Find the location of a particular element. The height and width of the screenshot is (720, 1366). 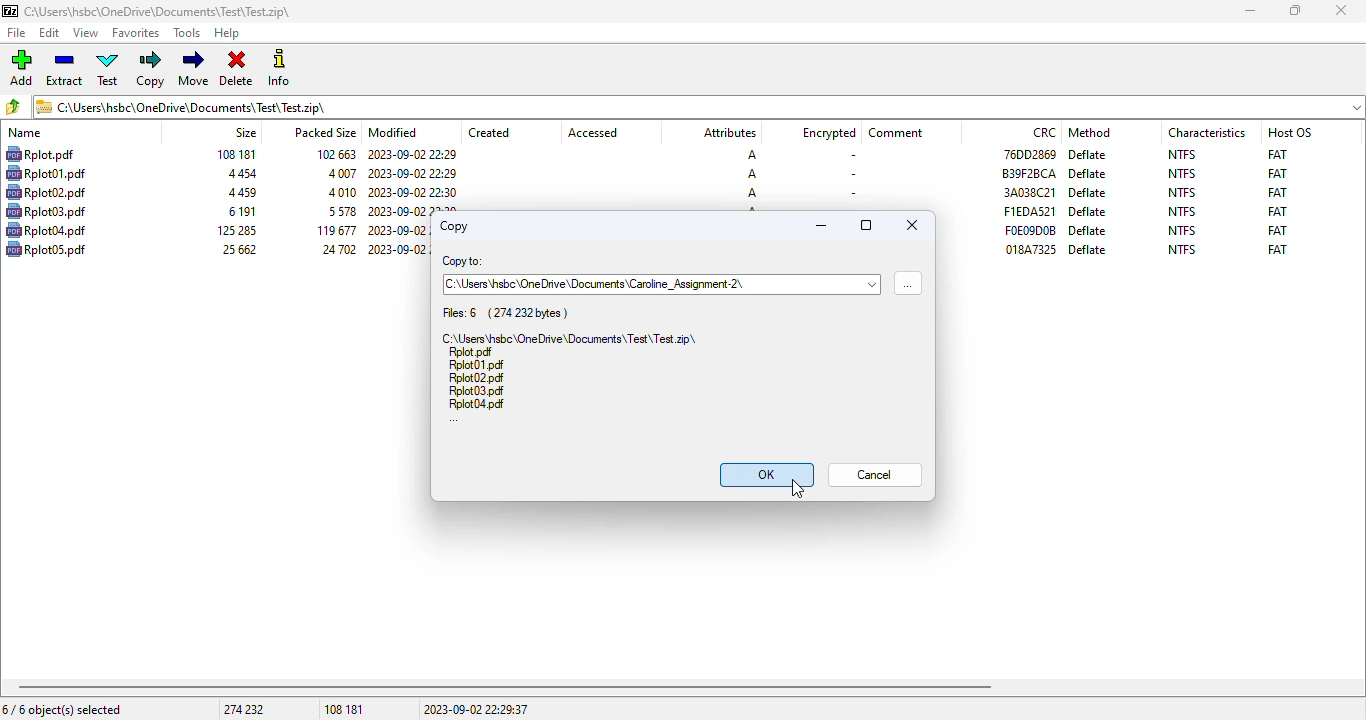

characteristics is located at coordinates (1207, 132).